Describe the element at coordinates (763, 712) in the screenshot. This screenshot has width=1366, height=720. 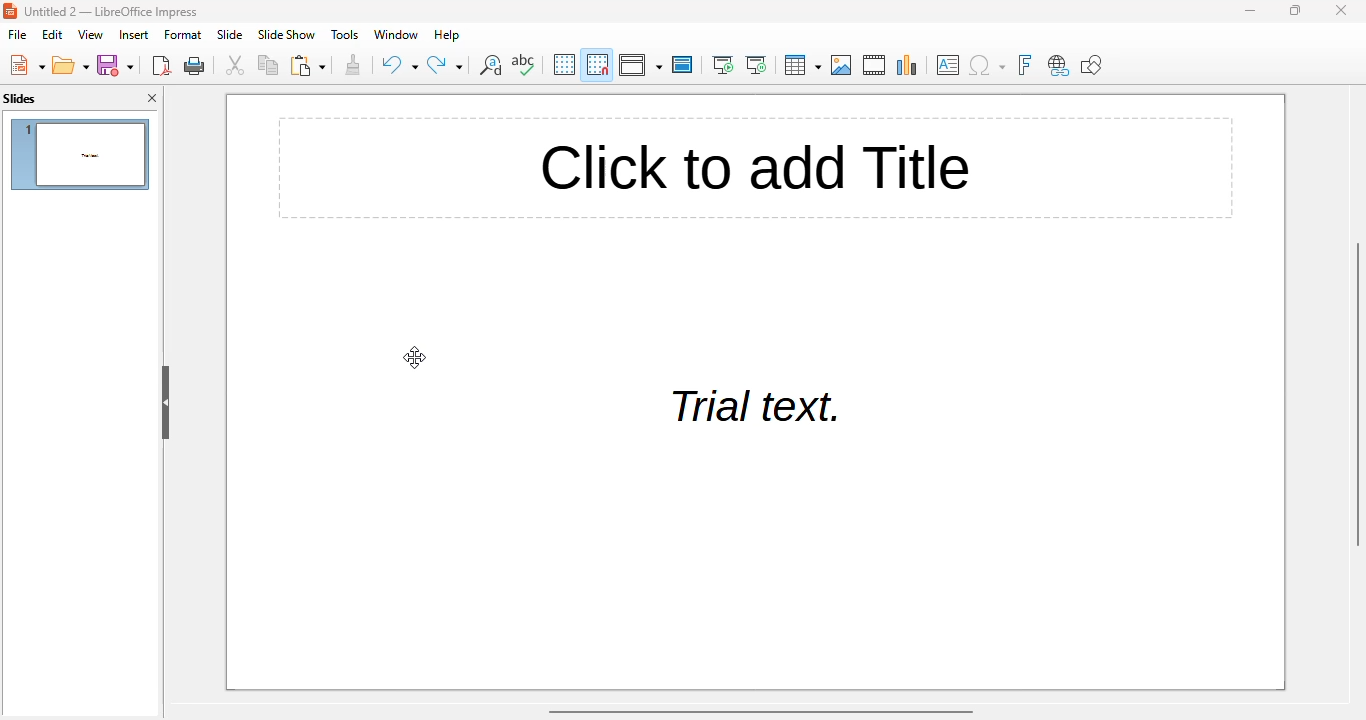
I see `horizontal scroll bar` at that location.